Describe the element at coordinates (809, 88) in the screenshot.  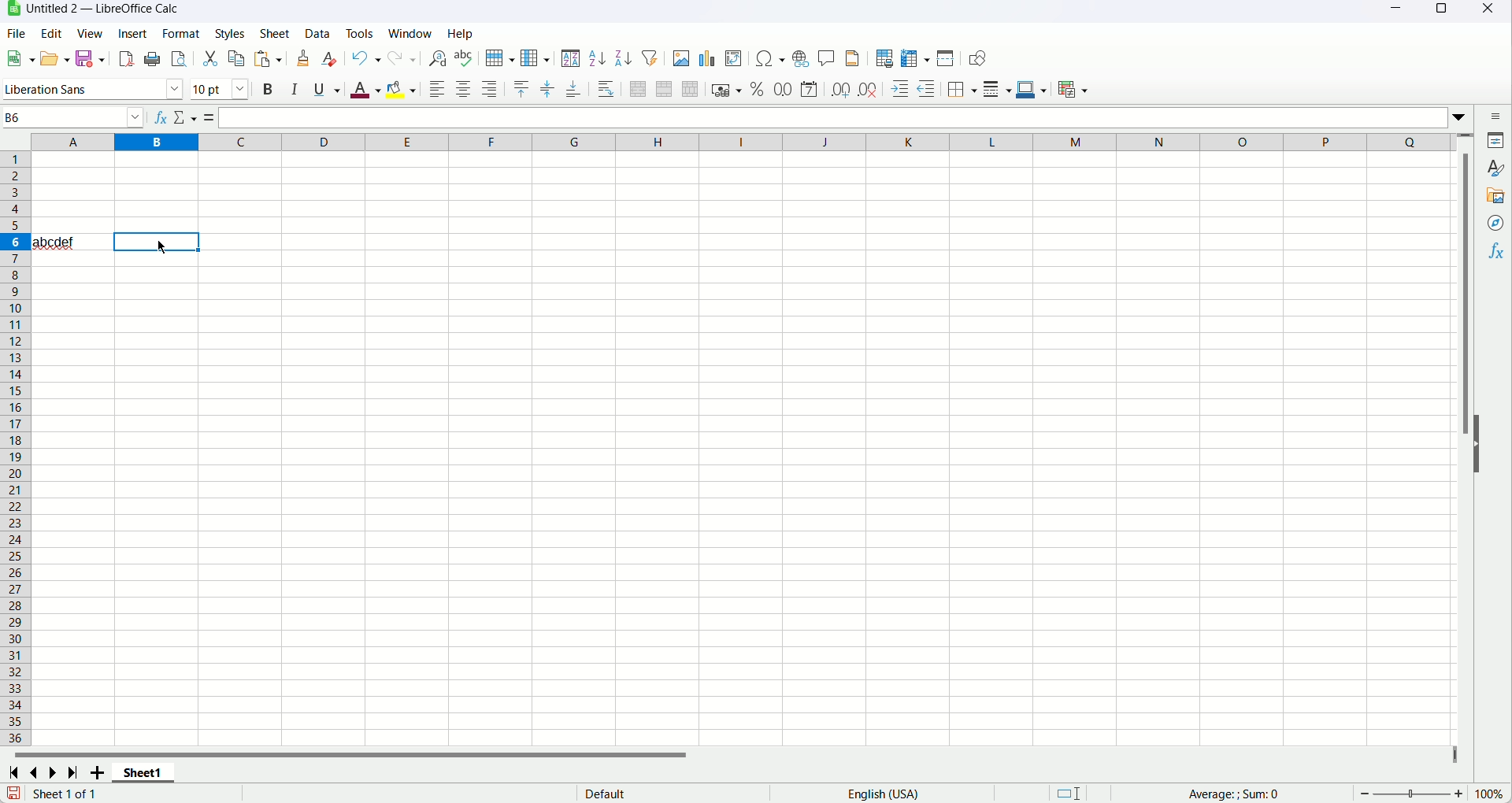
I see `format as date` at that location.